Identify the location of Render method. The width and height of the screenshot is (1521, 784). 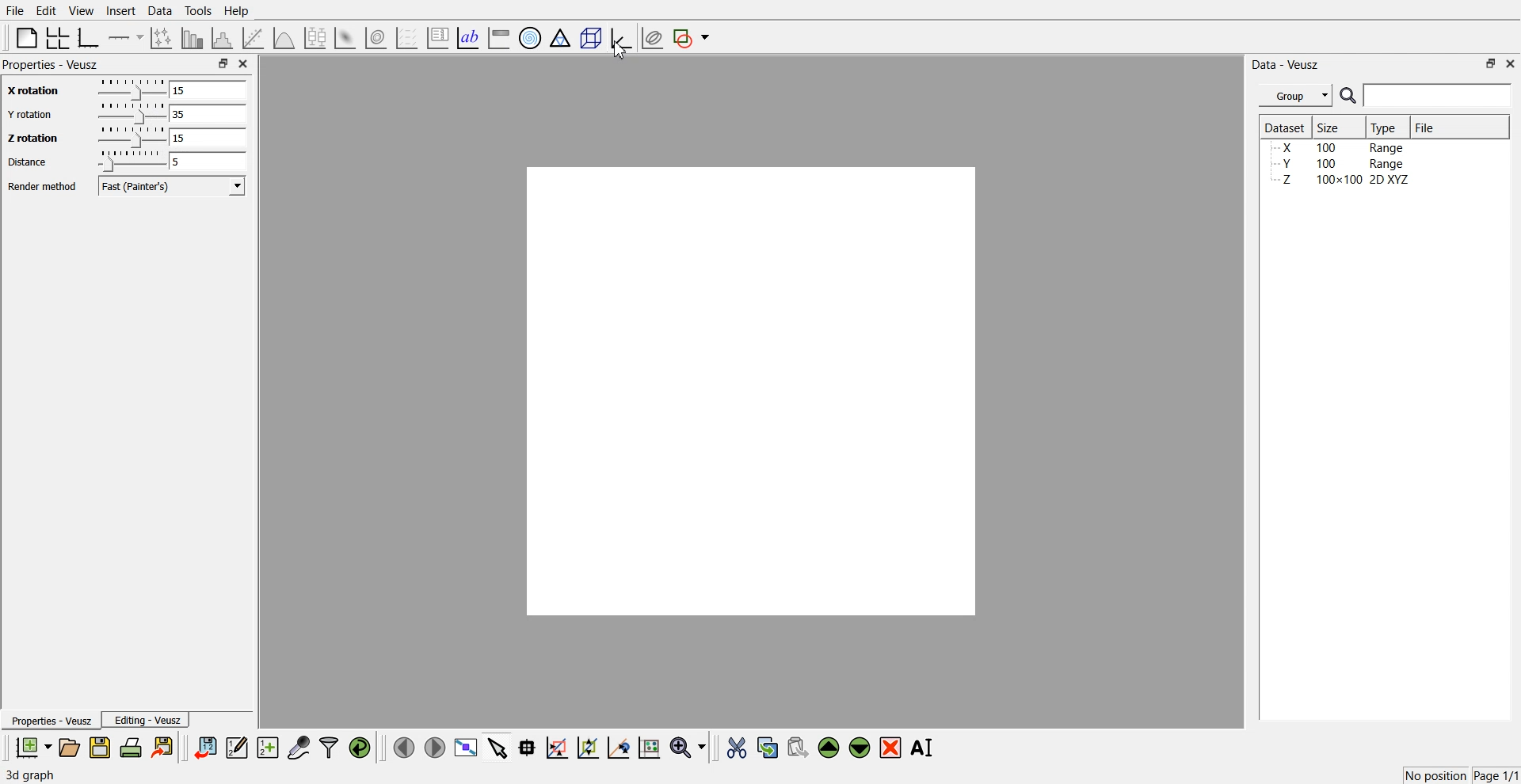
(42, 186).